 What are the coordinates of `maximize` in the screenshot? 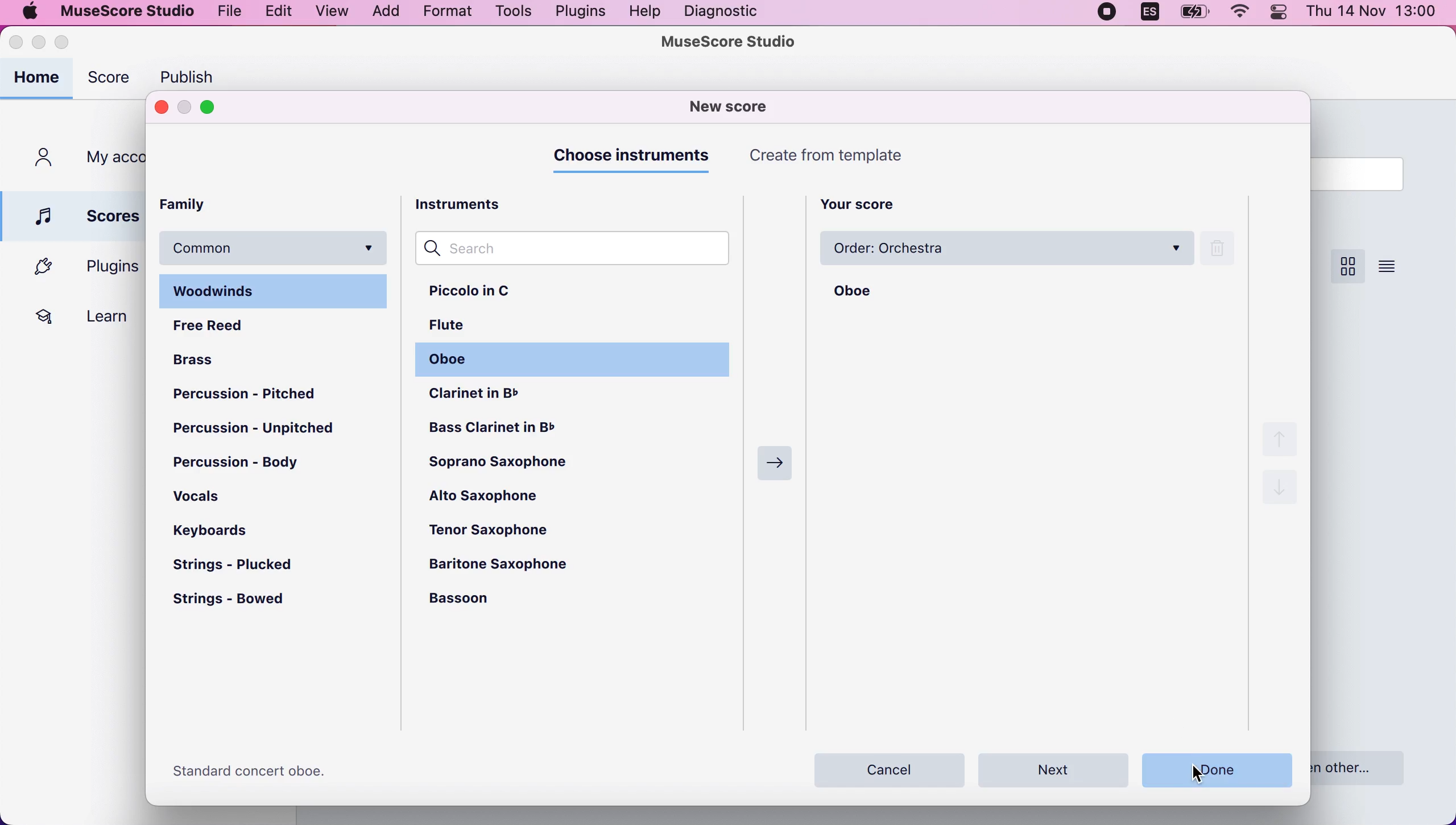 It's located at (216, 108).